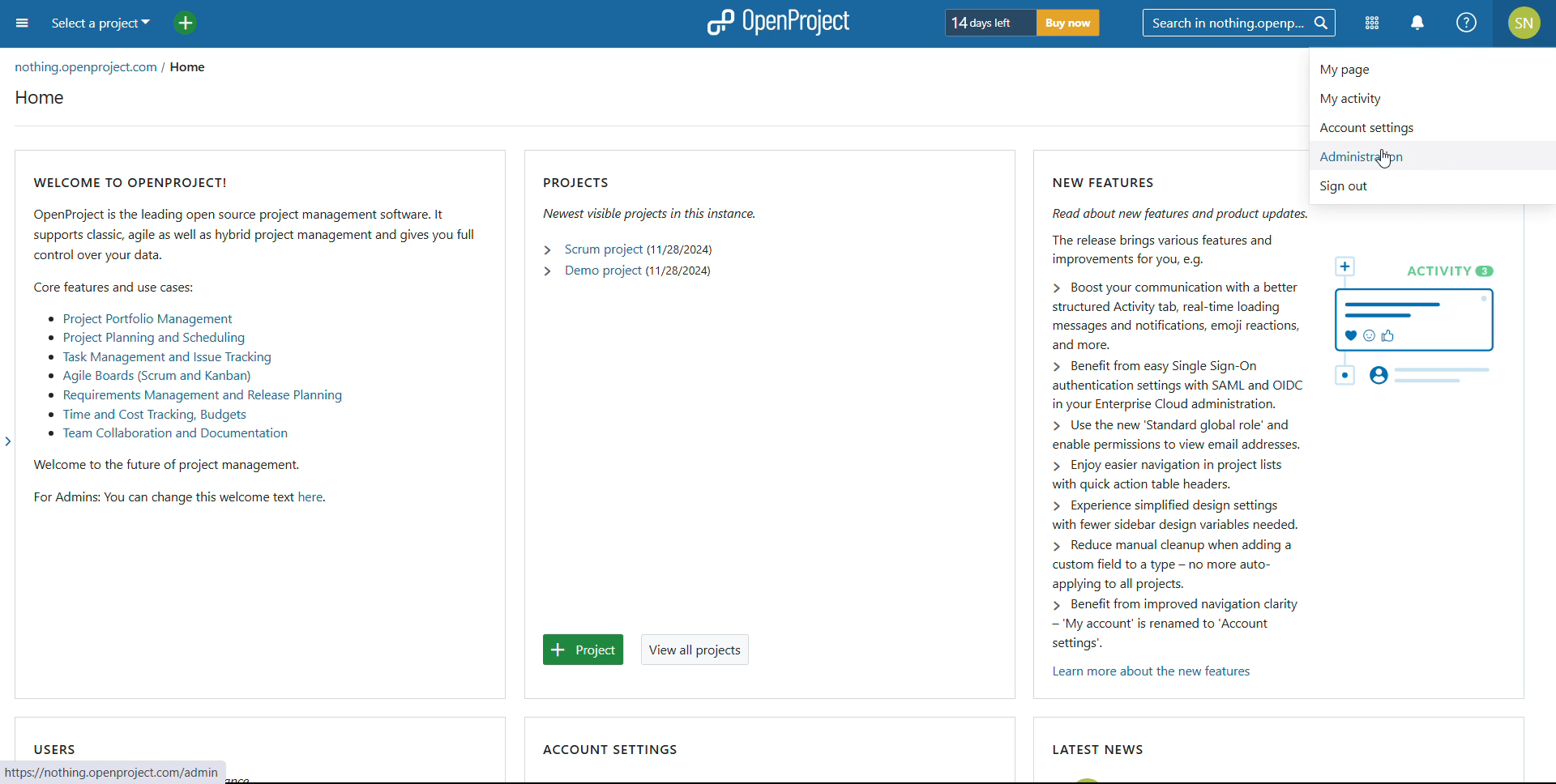 The width and height of the screenshot is (1556, 784). I want to click on administration, so click(1433, 156).